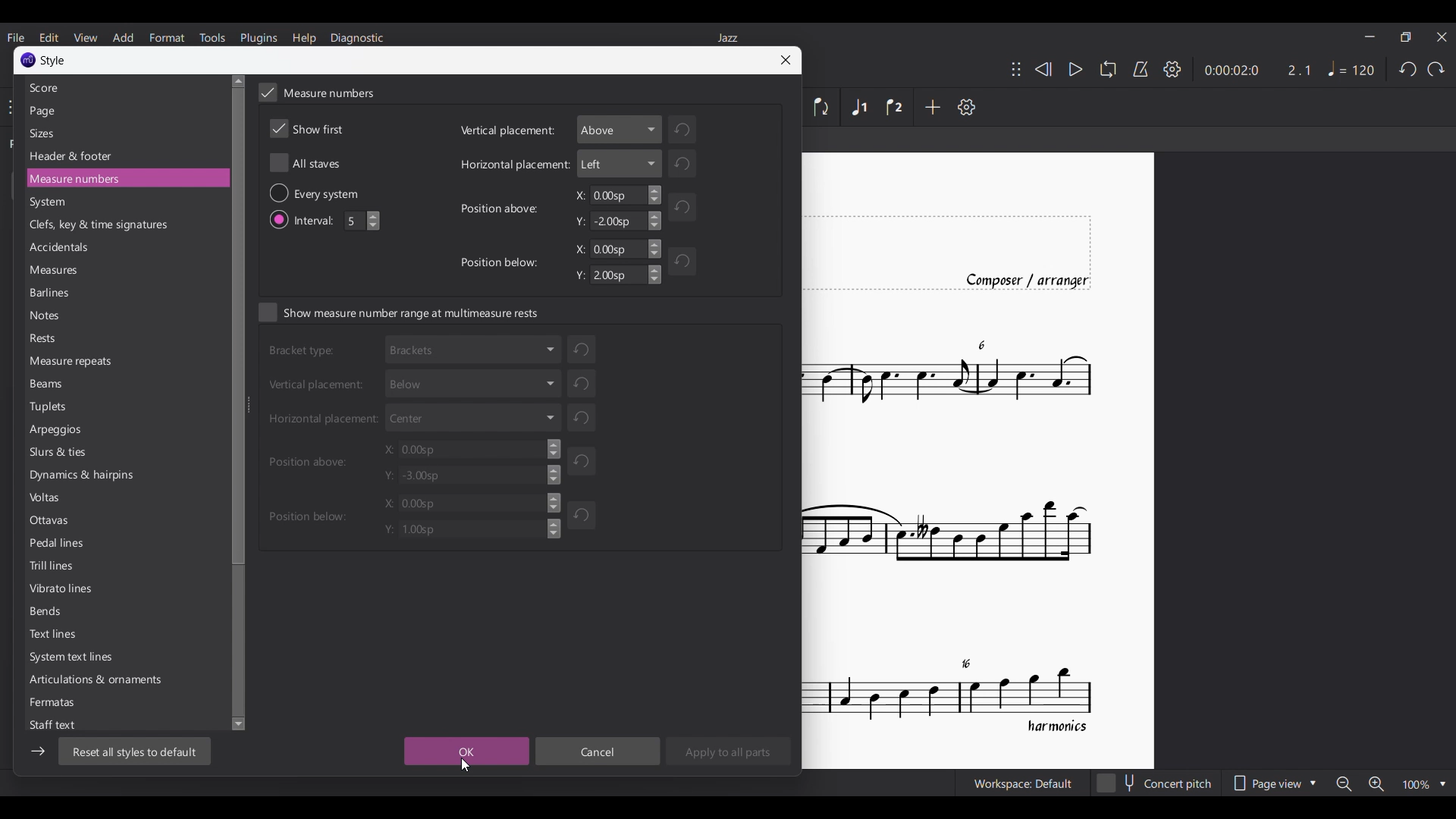  Describe the element at coordinates (613, 195) in the screenshot. I see `Input numbers for respective setting` at that location.